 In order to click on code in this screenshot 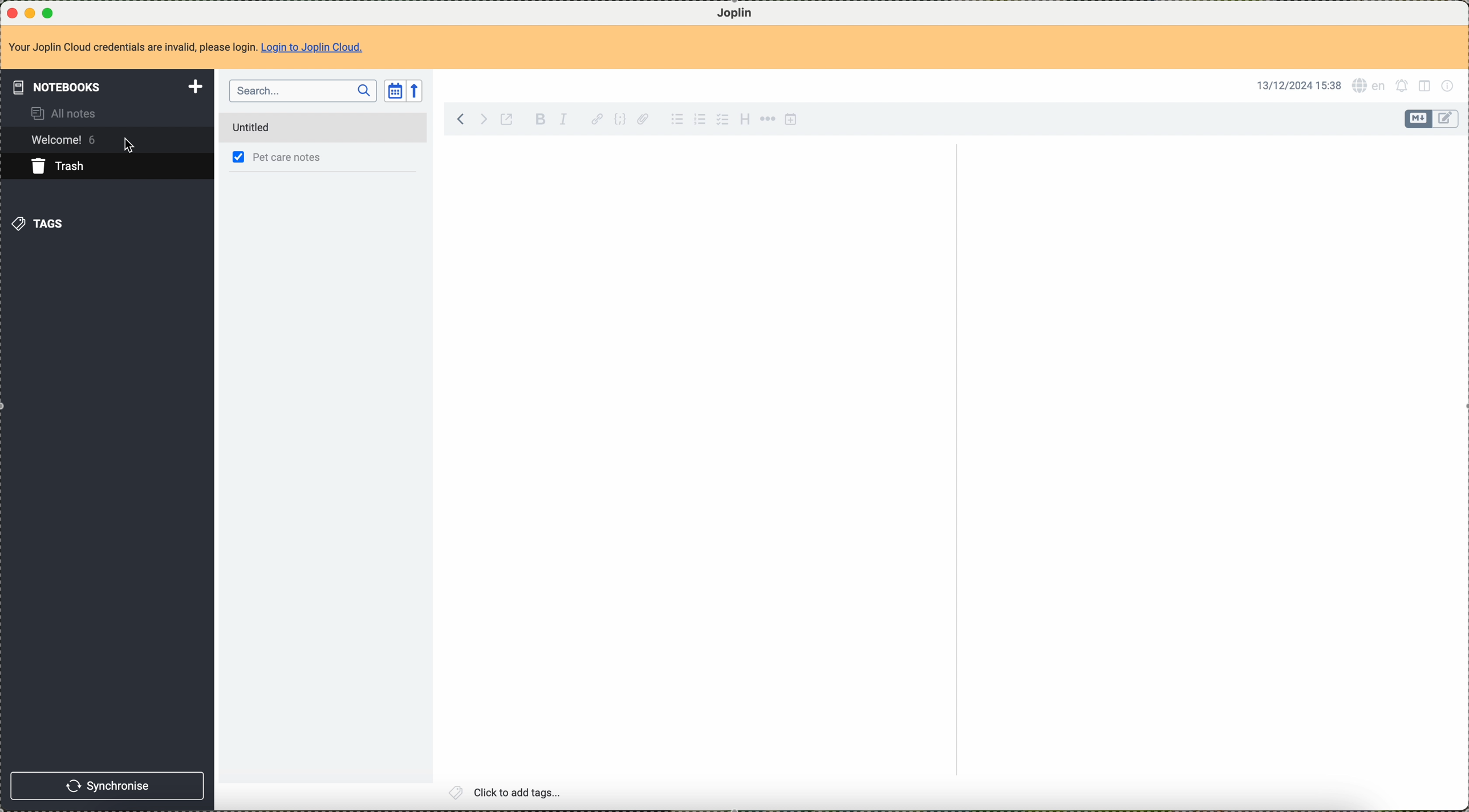, I will do `click(620, 120)`.